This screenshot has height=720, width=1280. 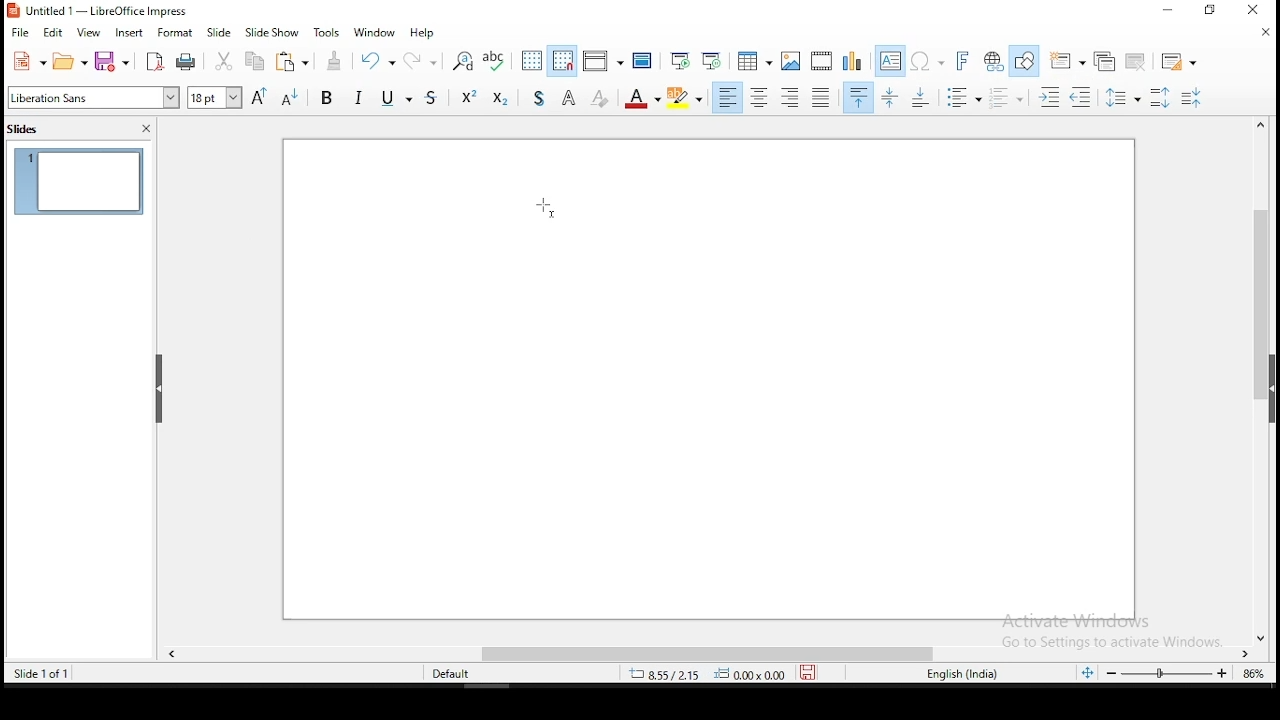 What do you see at coordinates (1166, 12) in the screenshot?
I see `minimize` at bounding box center [1166, 12].